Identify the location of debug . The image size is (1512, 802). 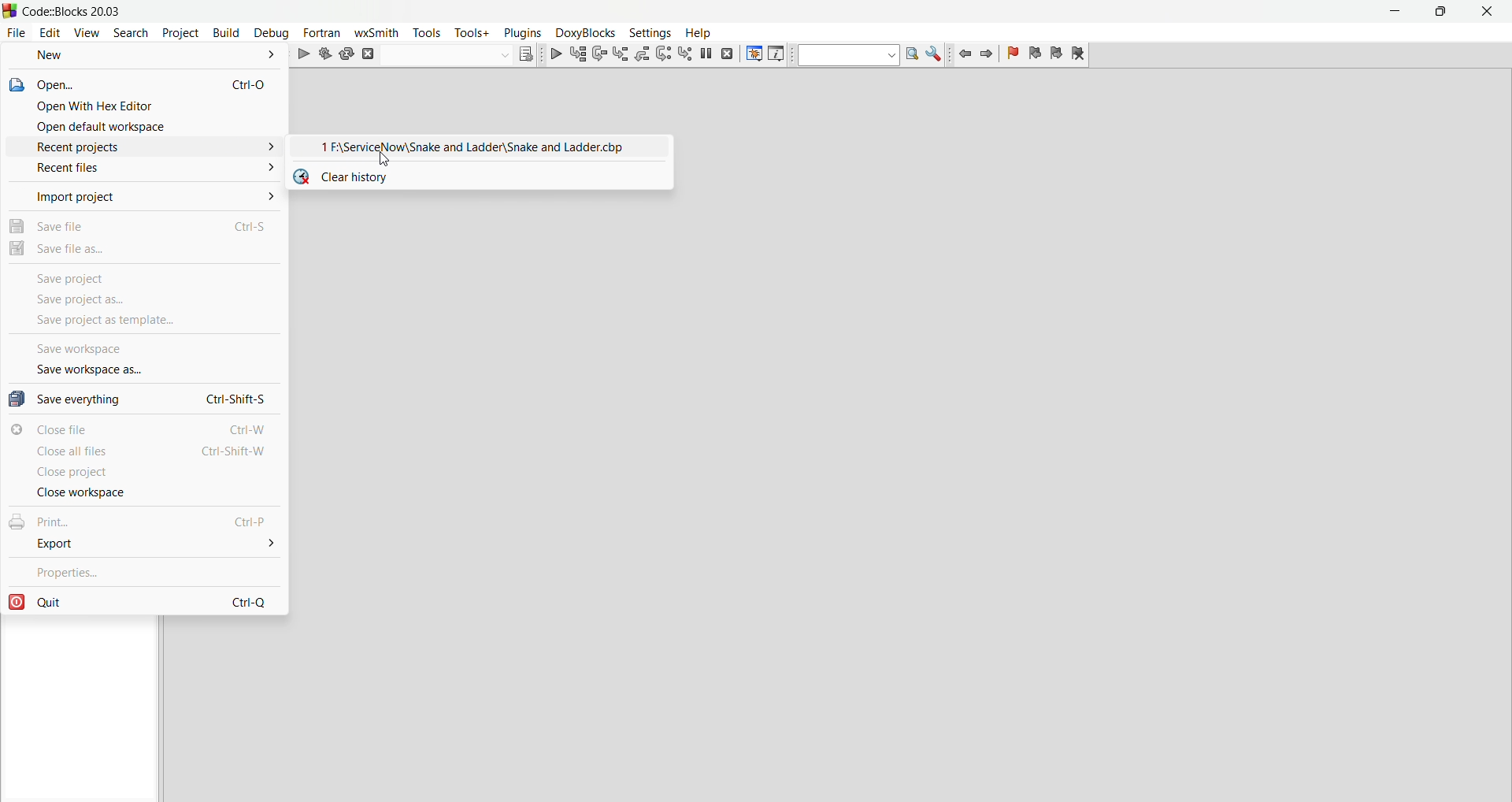
(554, 54).